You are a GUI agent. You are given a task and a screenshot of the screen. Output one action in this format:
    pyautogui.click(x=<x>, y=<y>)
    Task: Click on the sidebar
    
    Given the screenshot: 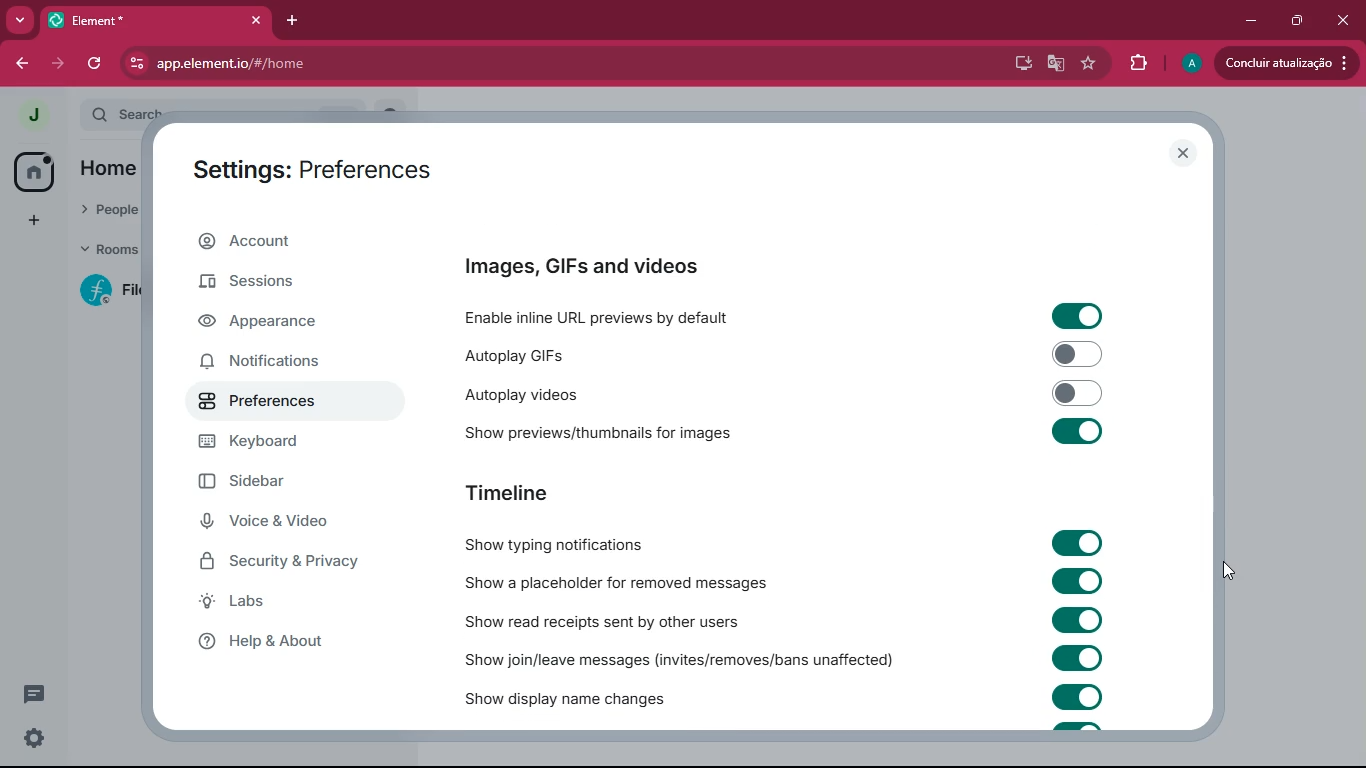 What is the action you would take?
    pyautogui.click(x=286, y=485)
    